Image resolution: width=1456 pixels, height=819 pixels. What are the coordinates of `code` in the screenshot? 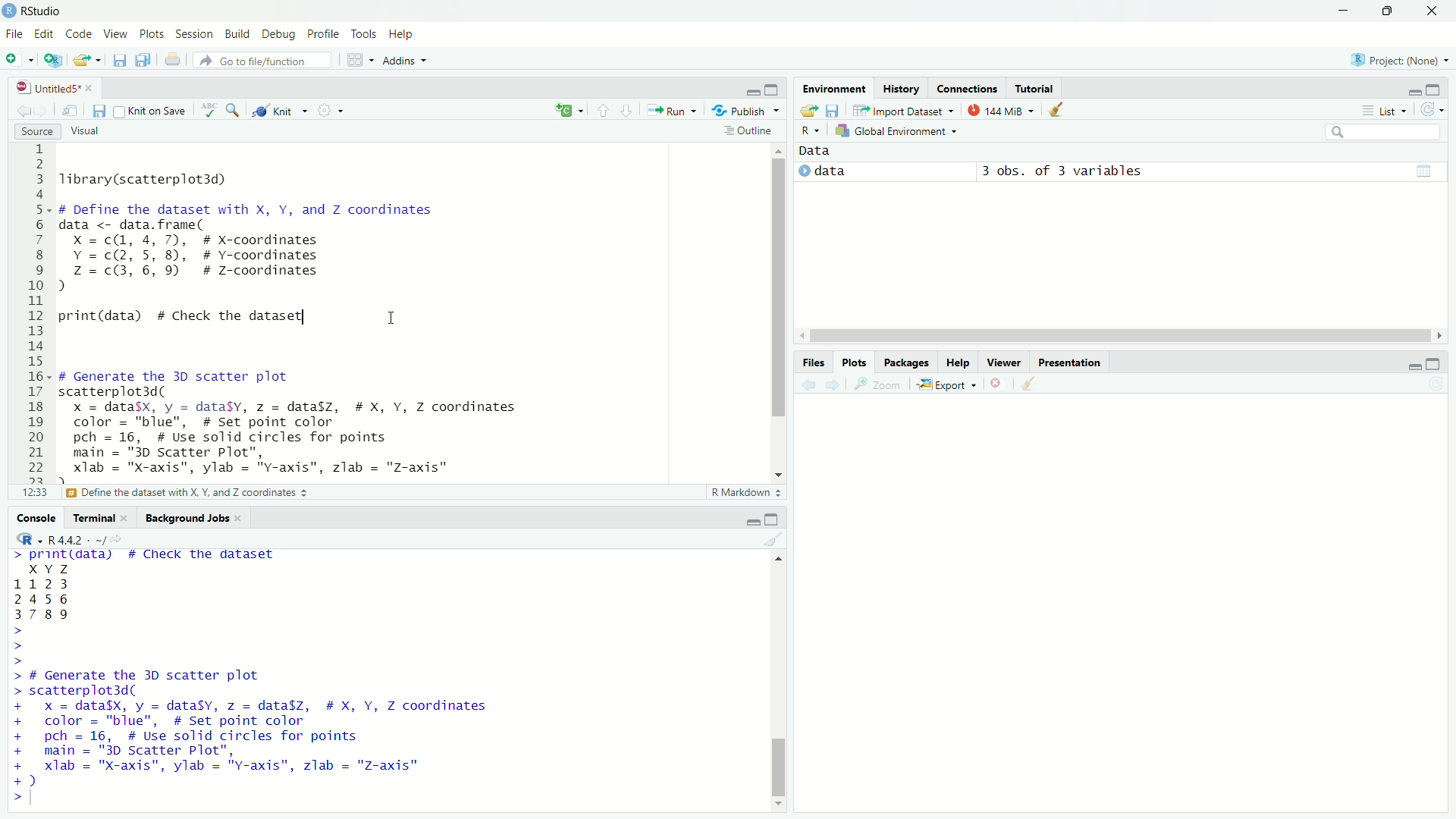 It's located at (80, 35).